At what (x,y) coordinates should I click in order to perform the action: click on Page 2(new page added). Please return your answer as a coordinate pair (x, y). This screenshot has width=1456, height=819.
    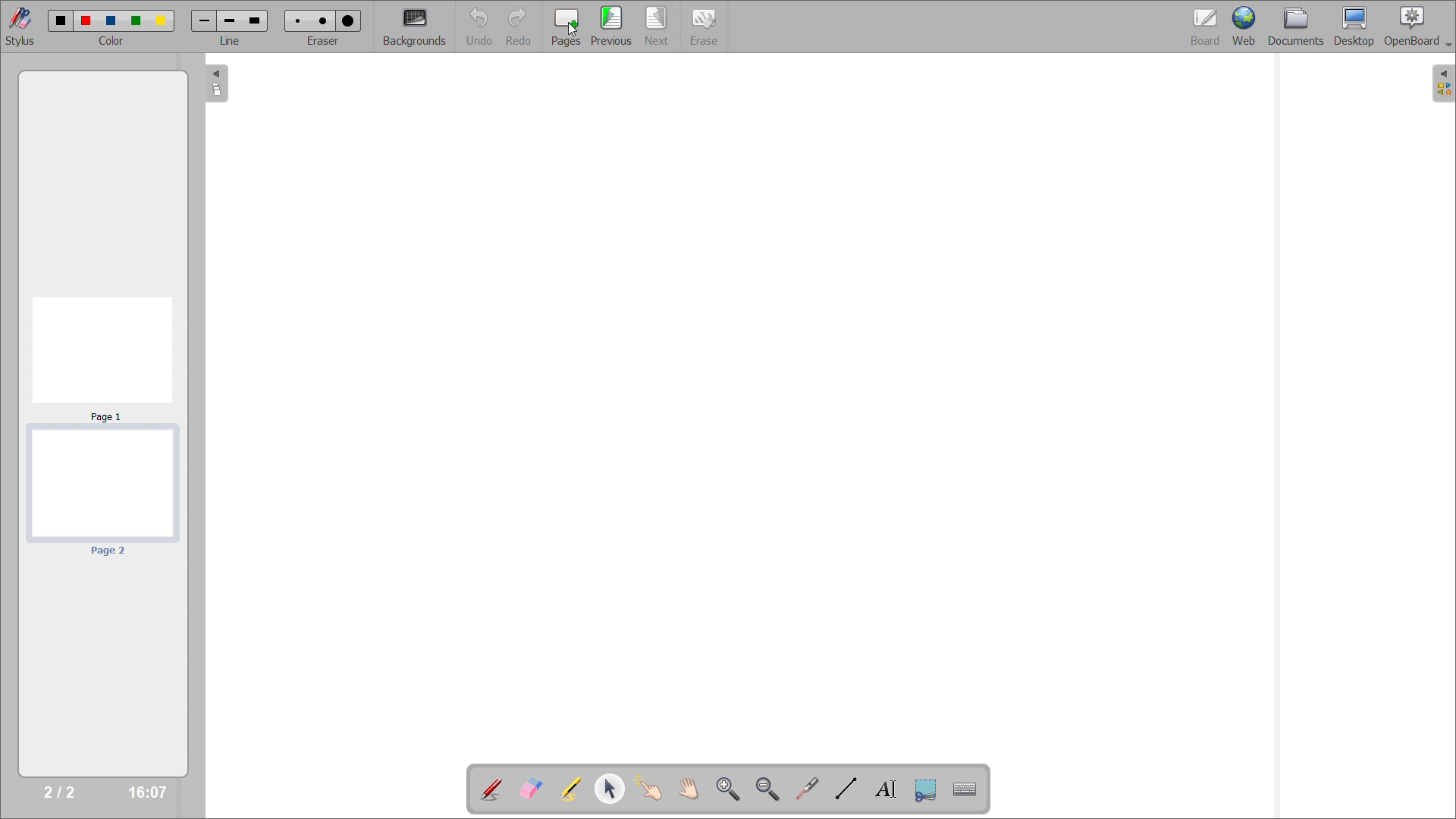
    Looking at the image, I should click on (102, 496).